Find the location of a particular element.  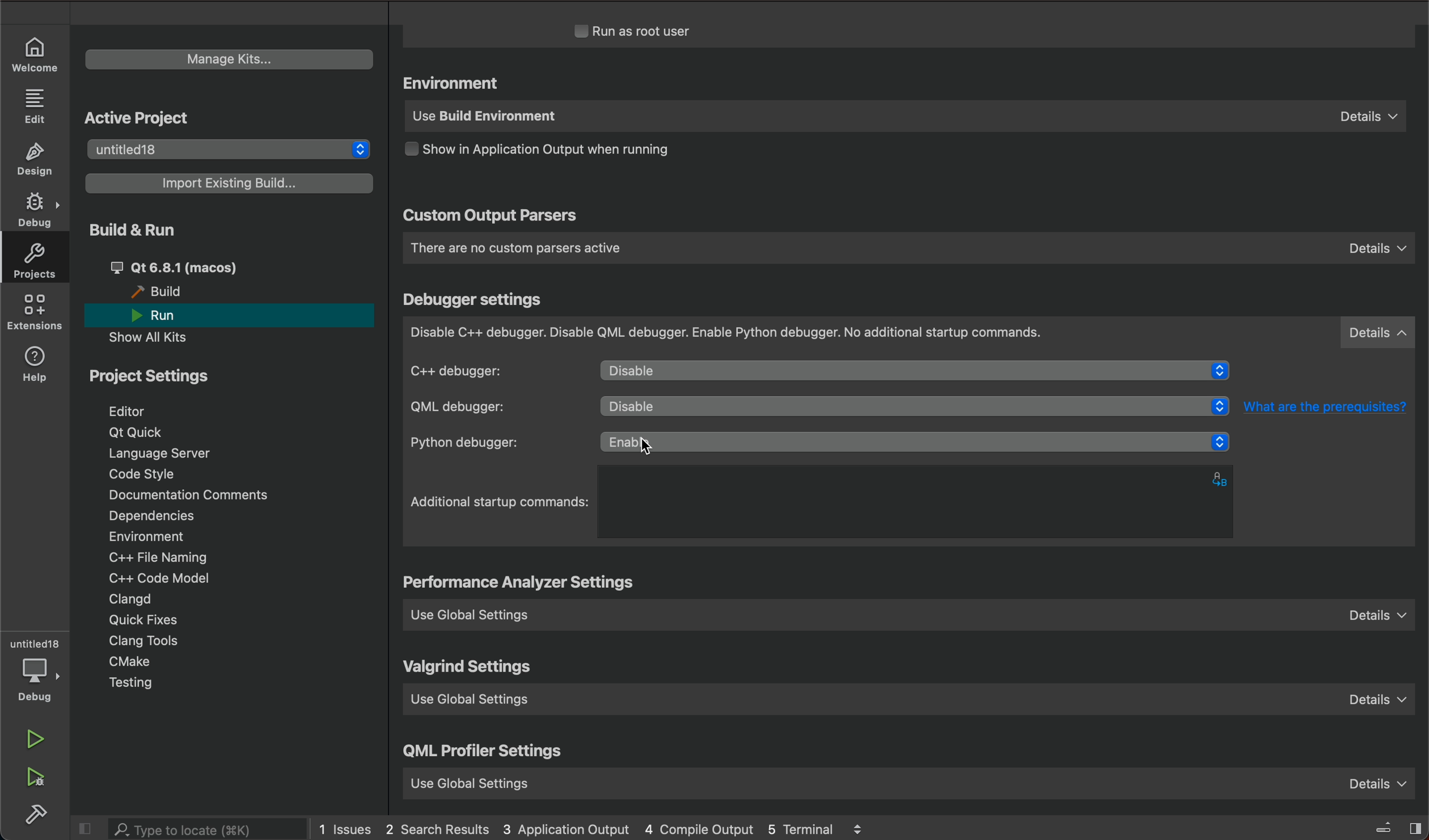

Automatic  is located at coordinates (907, 447).